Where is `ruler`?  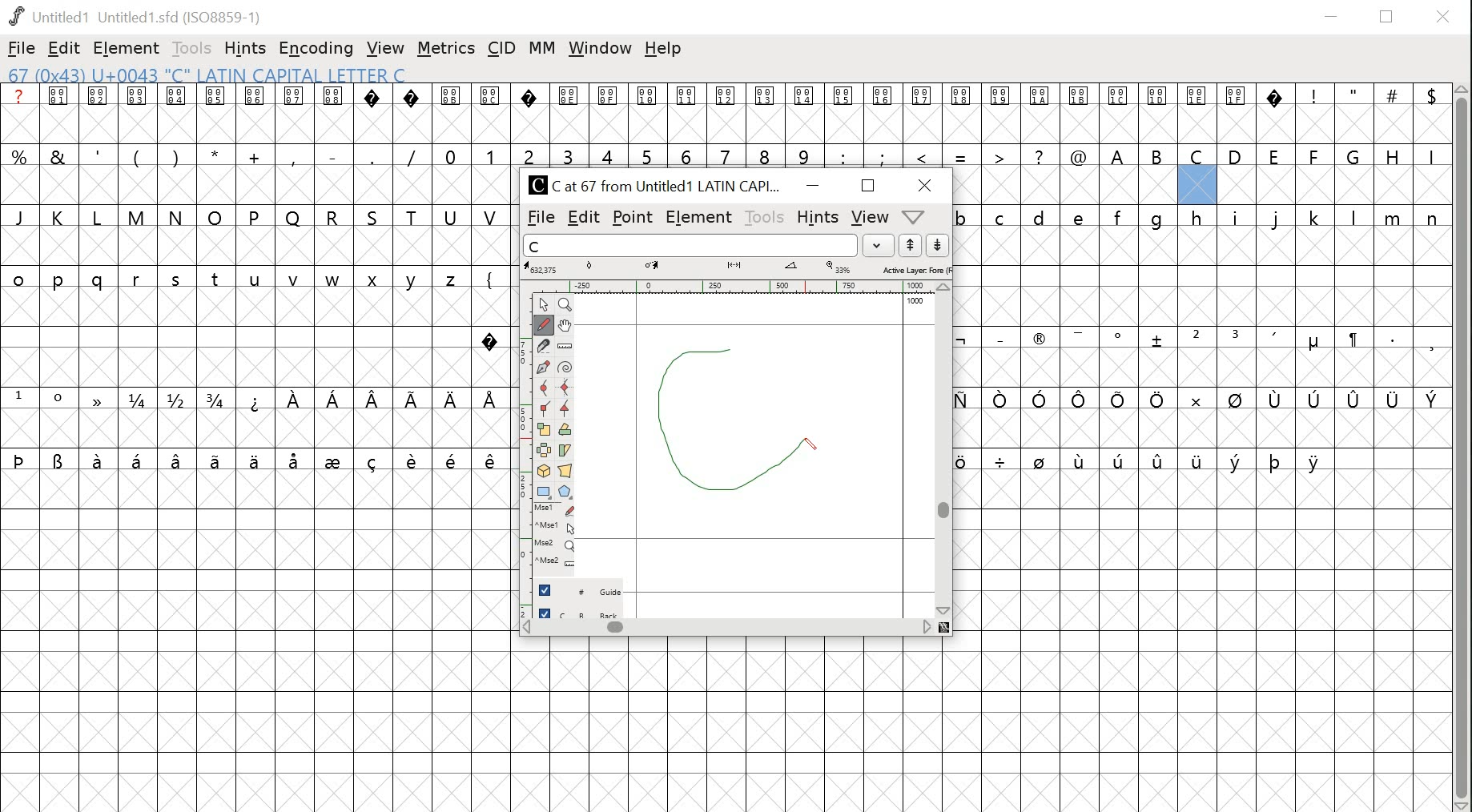
ruler is located at coordinates (567, 347).